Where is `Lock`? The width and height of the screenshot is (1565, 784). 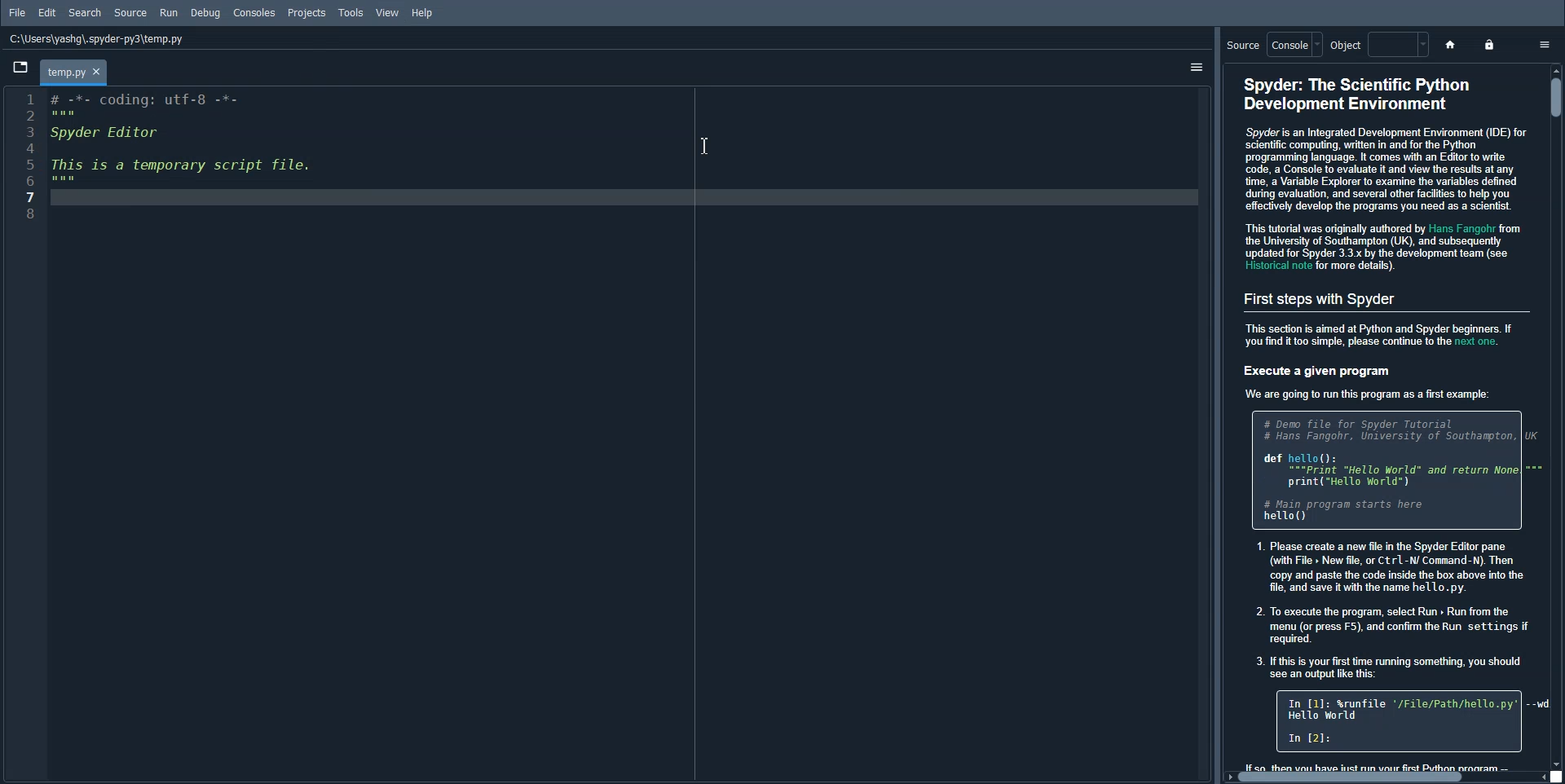 Lock is located at coordinates (1491, 45).